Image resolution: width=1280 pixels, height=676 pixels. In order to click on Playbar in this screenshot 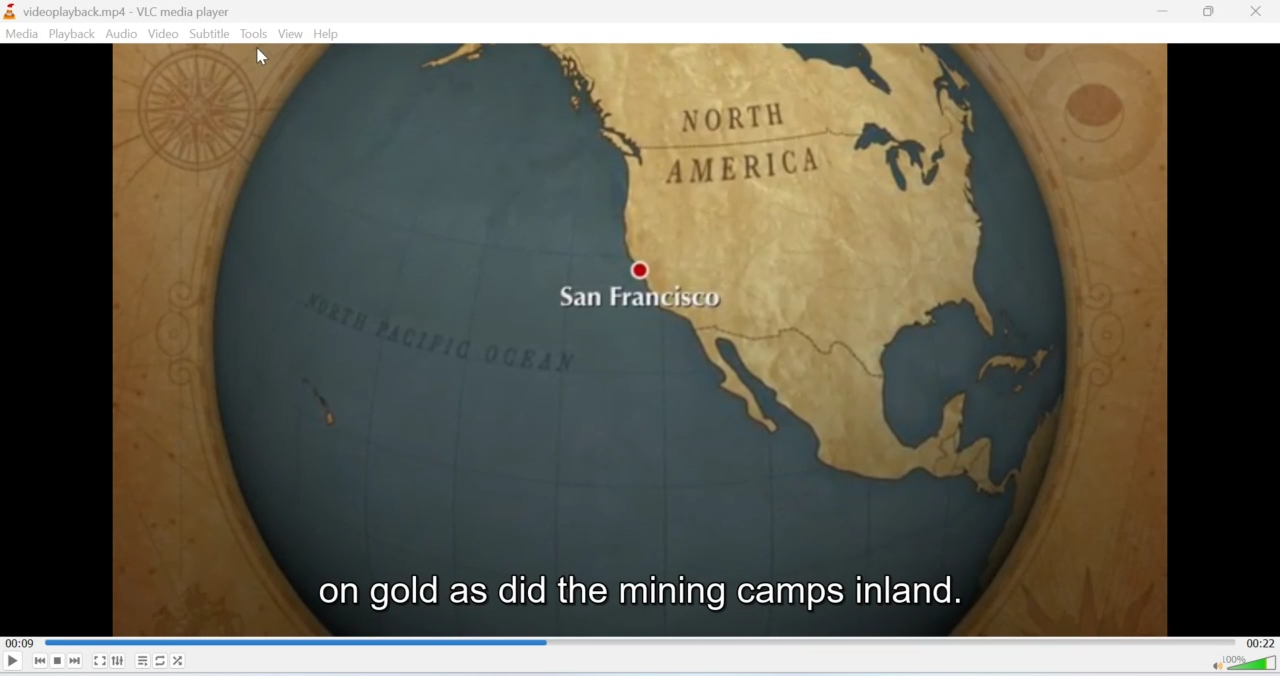, I will do `click(640, 641)`.